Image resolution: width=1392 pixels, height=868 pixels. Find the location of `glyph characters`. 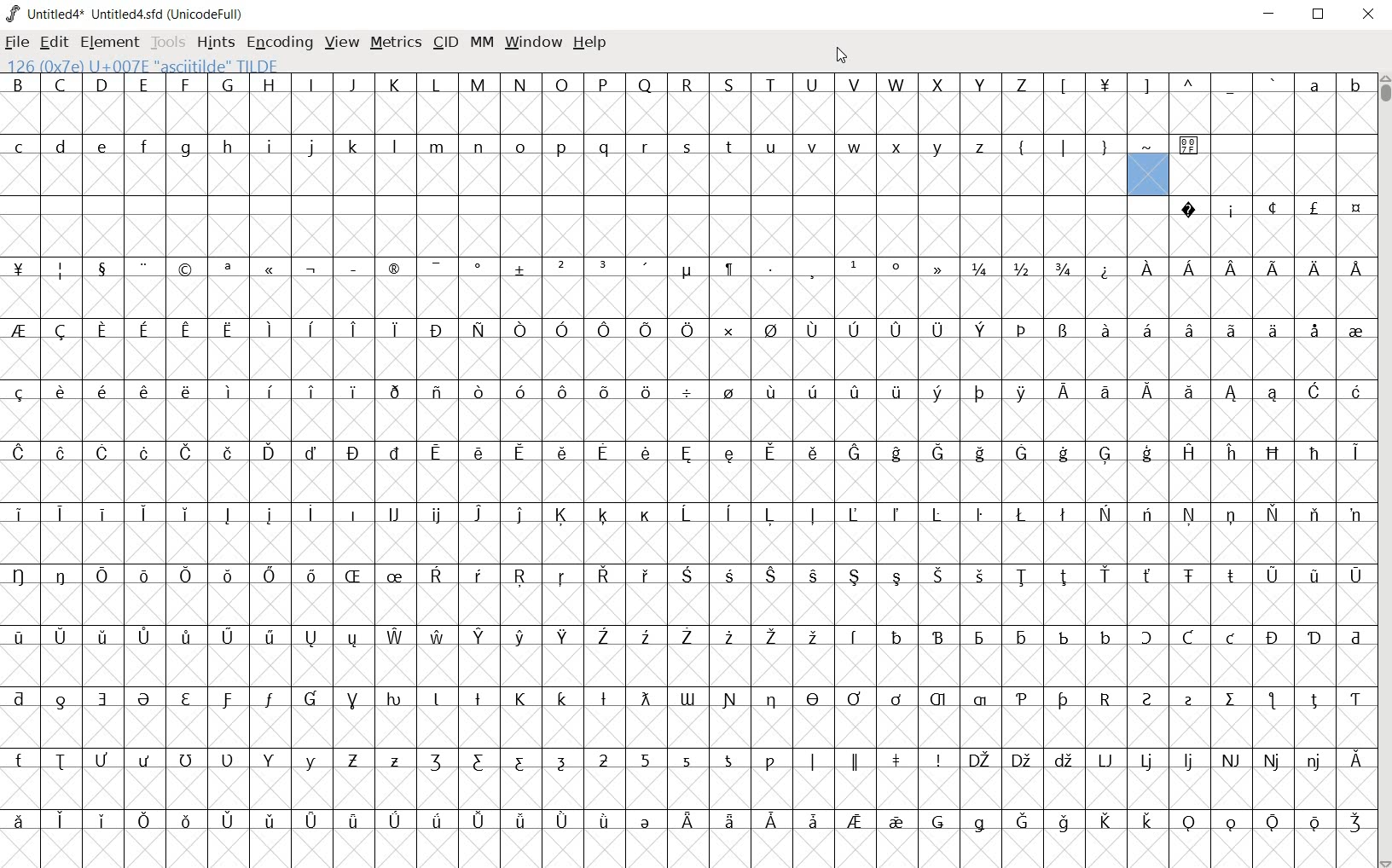

glyph characters is located at coordinates (558, 465).